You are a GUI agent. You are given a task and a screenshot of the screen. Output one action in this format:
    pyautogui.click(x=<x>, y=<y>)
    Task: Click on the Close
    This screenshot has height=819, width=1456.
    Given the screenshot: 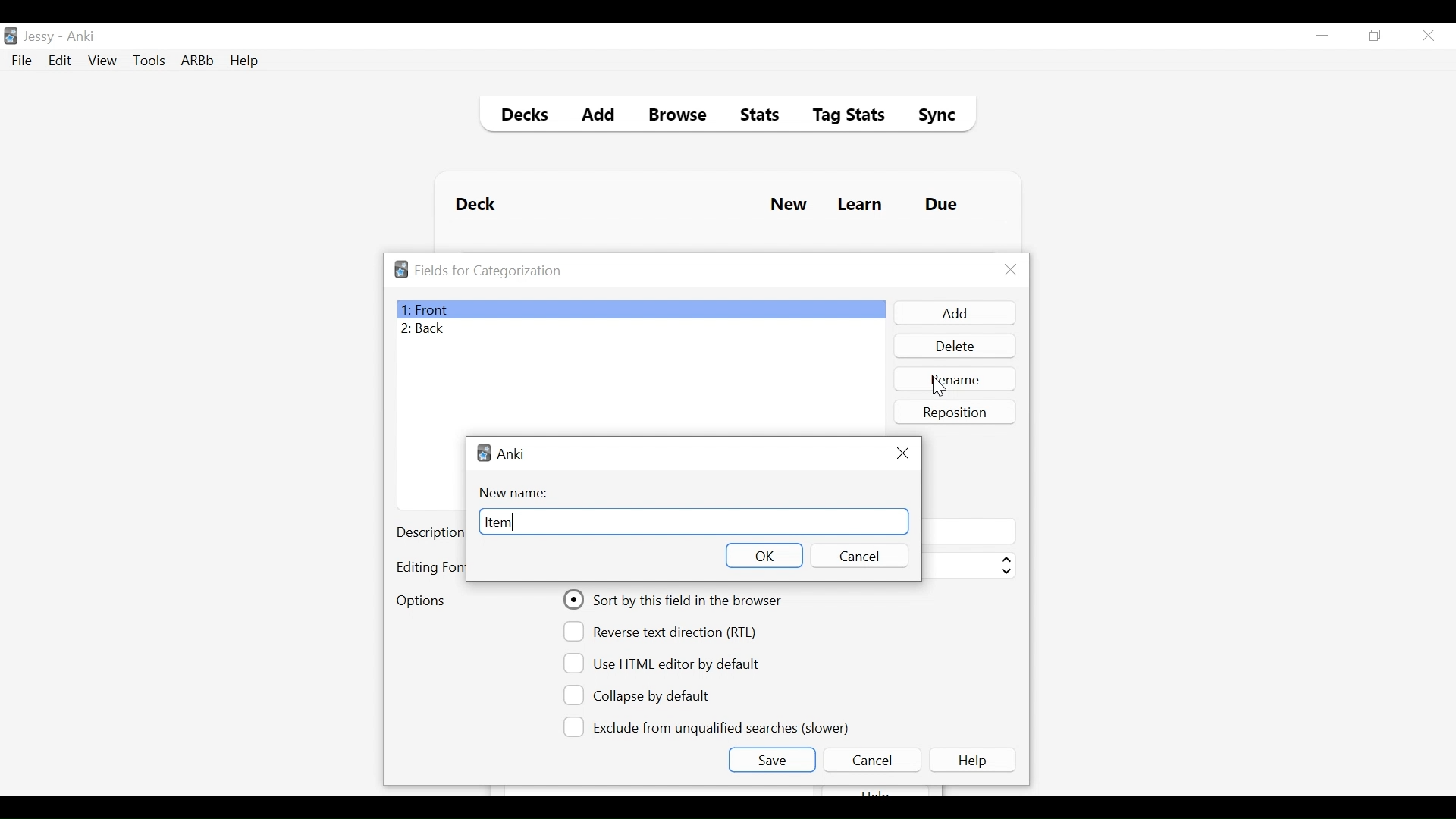 What is the action you would take?
    pyautogui.click(x=1011, y=270)
    